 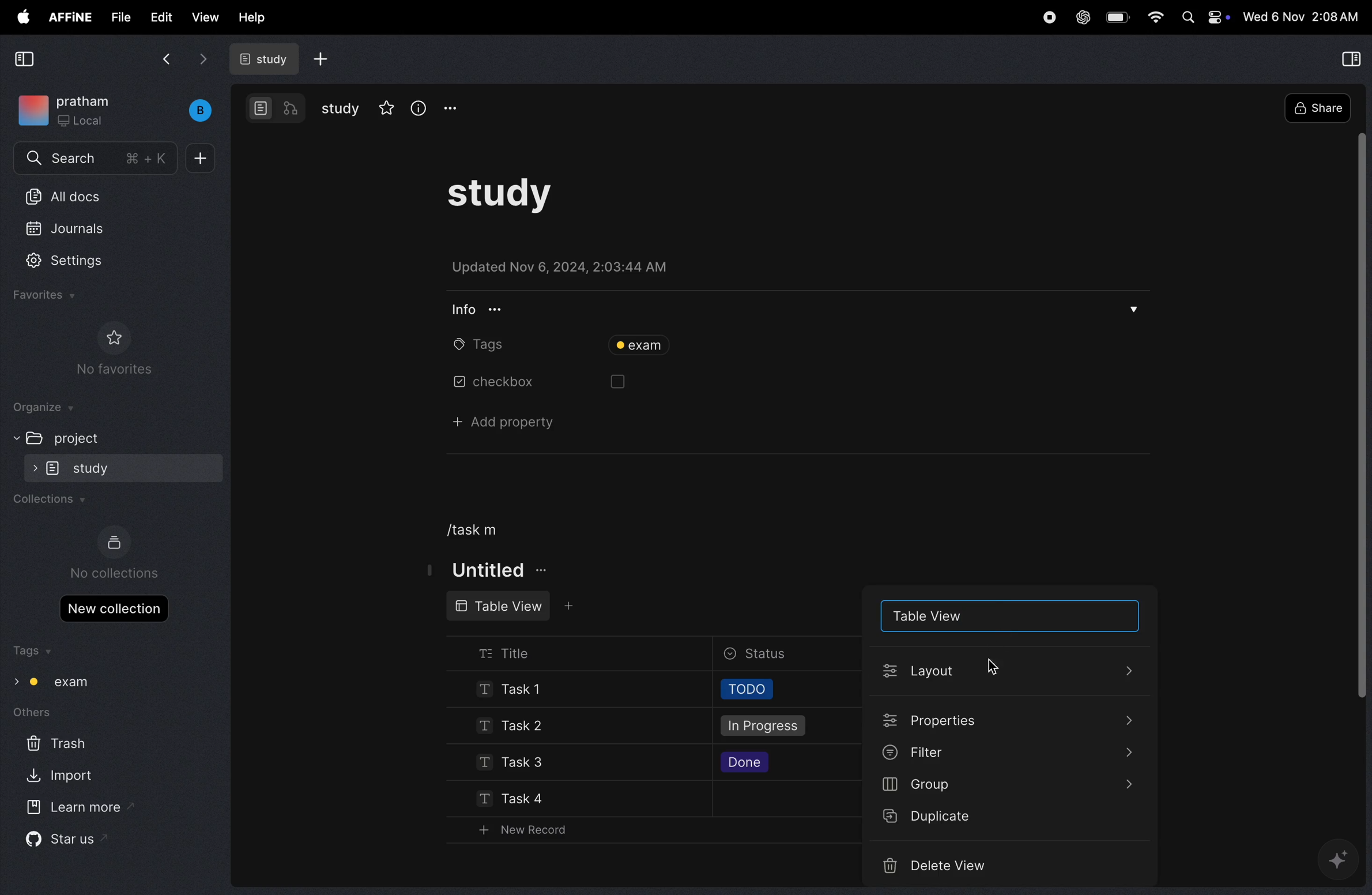 I want to click on chechbox, so click(x=478, y=383).